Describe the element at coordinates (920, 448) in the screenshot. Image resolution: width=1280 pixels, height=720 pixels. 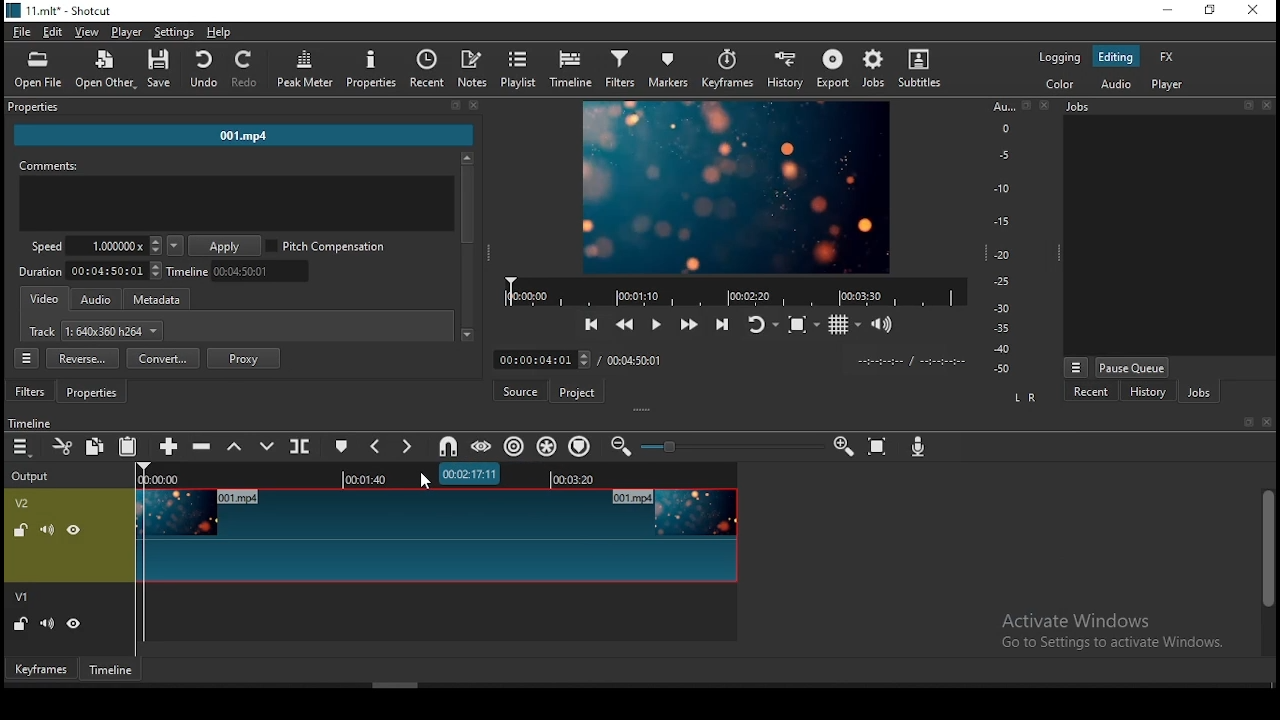
I see `record audio` at that location.